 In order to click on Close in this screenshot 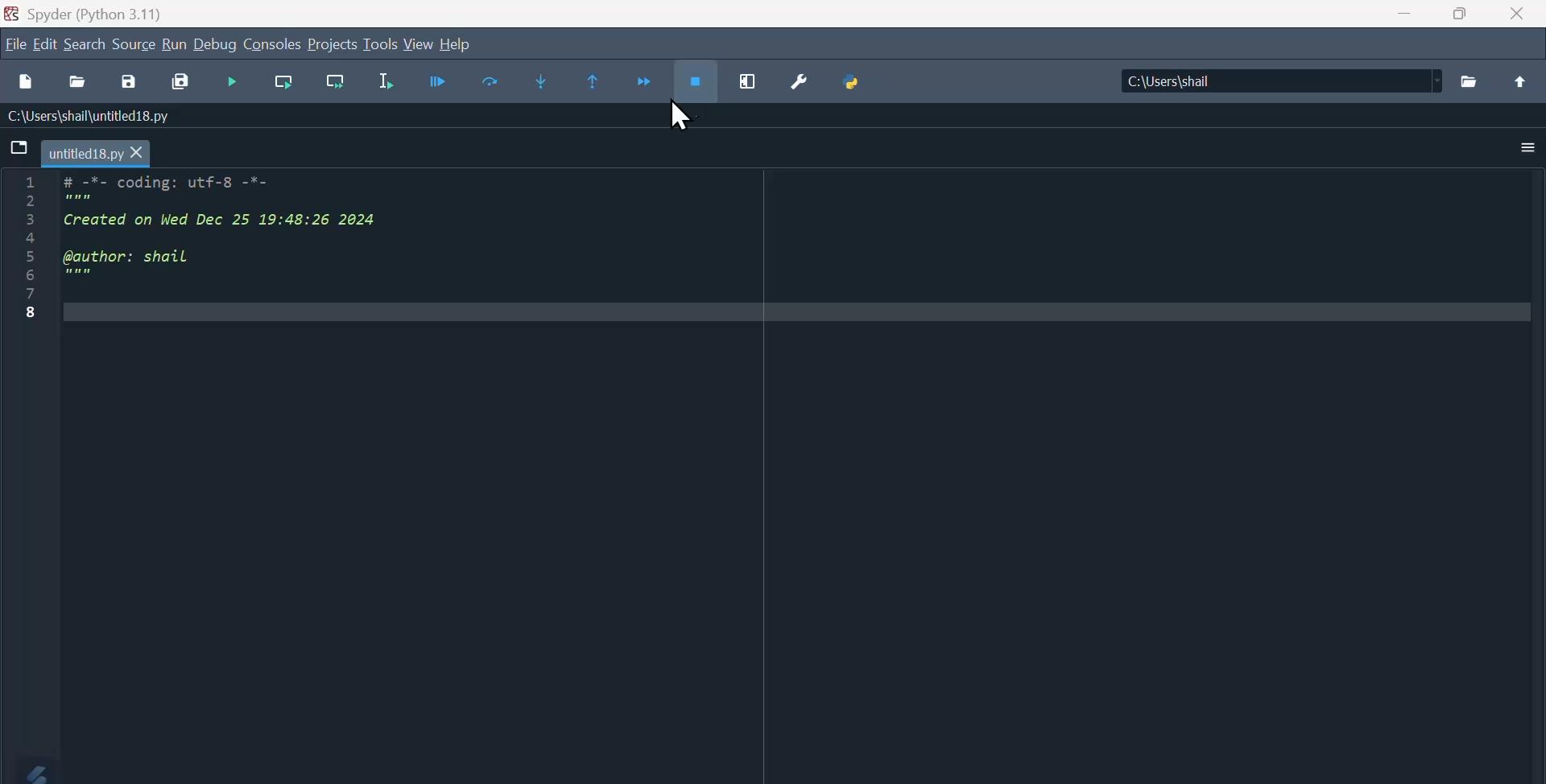, I will do `click(1515, 15)`.